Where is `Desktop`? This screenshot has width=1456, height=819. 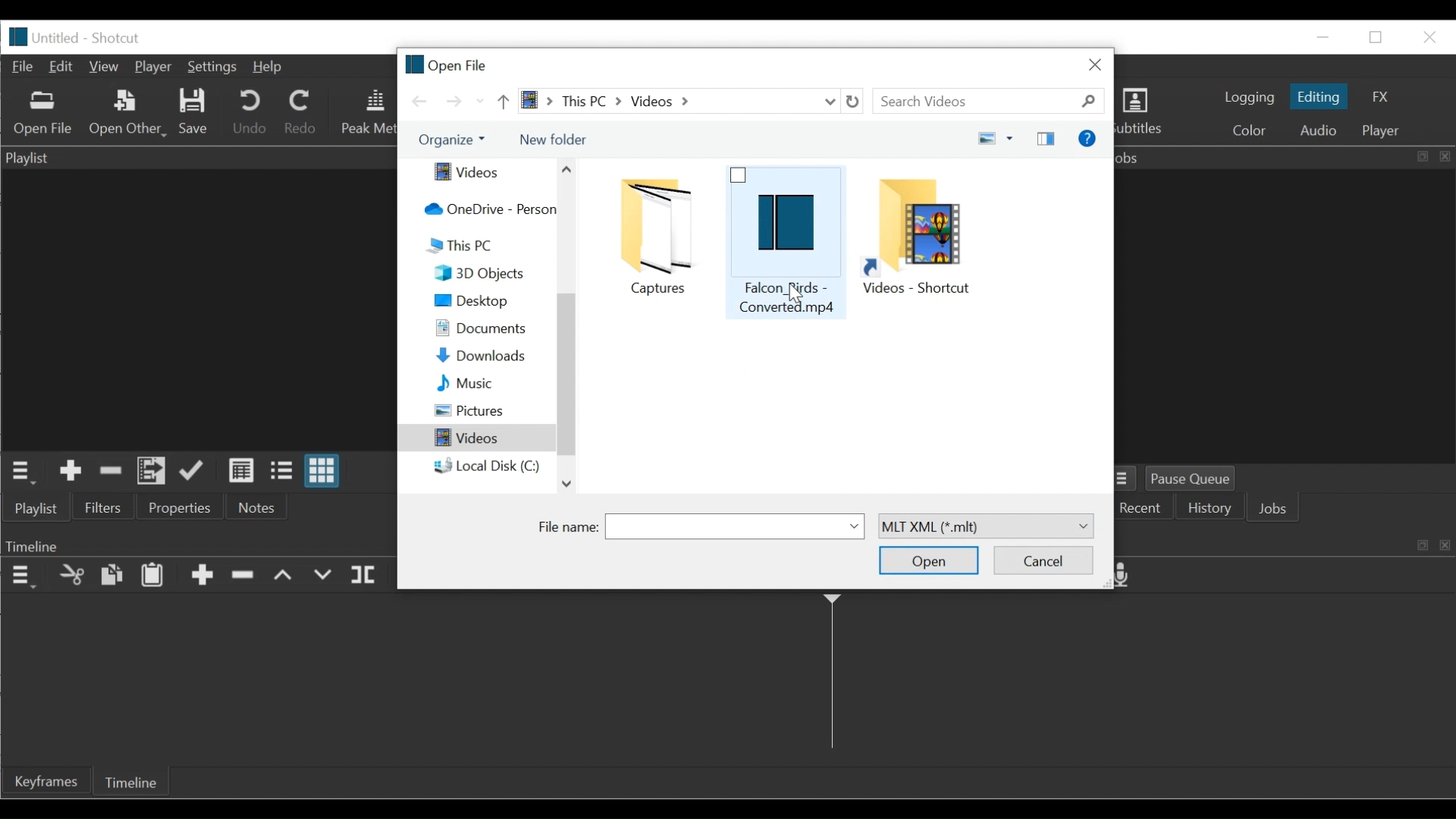
Desktop is located at coordinates (491, 300).